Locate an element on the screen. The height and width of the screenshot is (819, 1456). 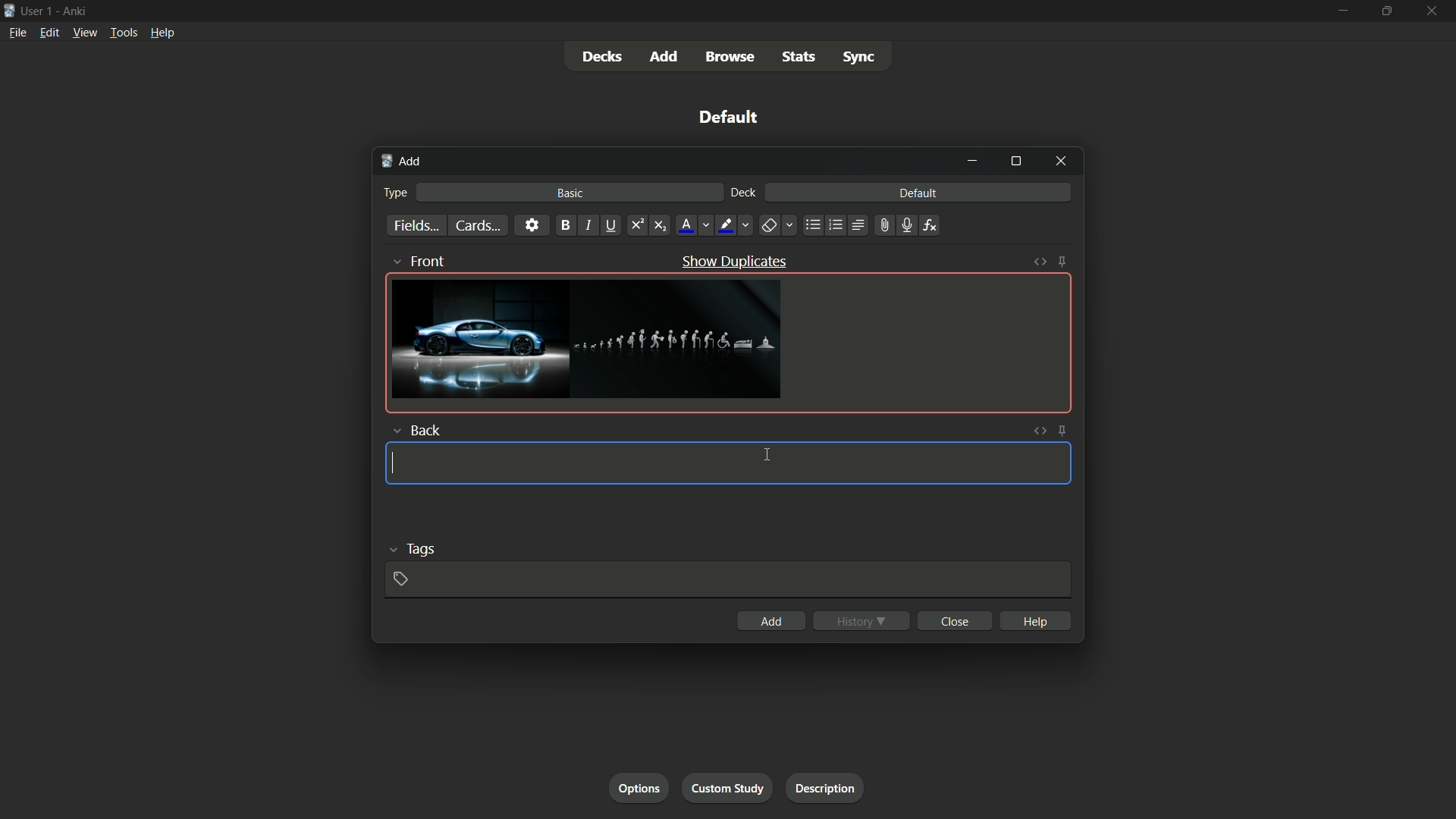
subscript is located at coordinates (661, 225).